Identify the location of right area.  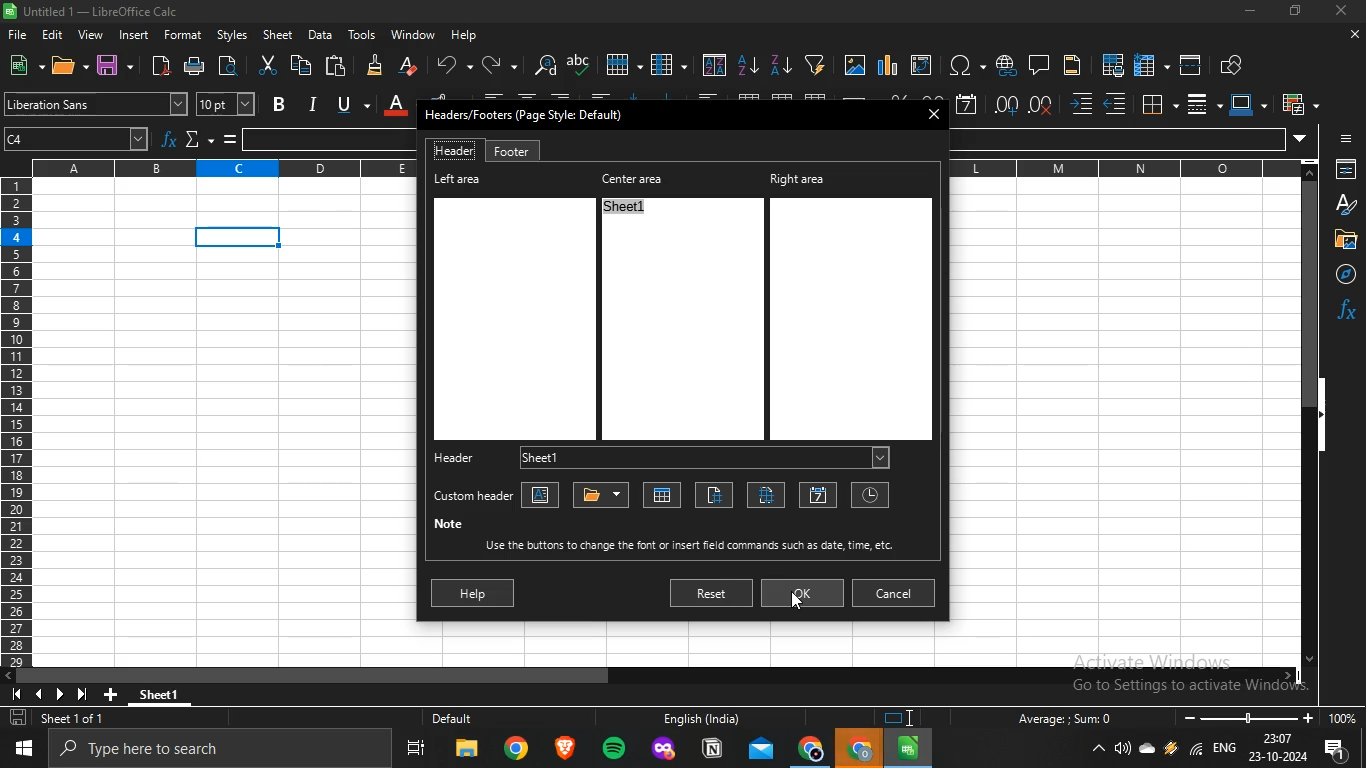
(853, 305).